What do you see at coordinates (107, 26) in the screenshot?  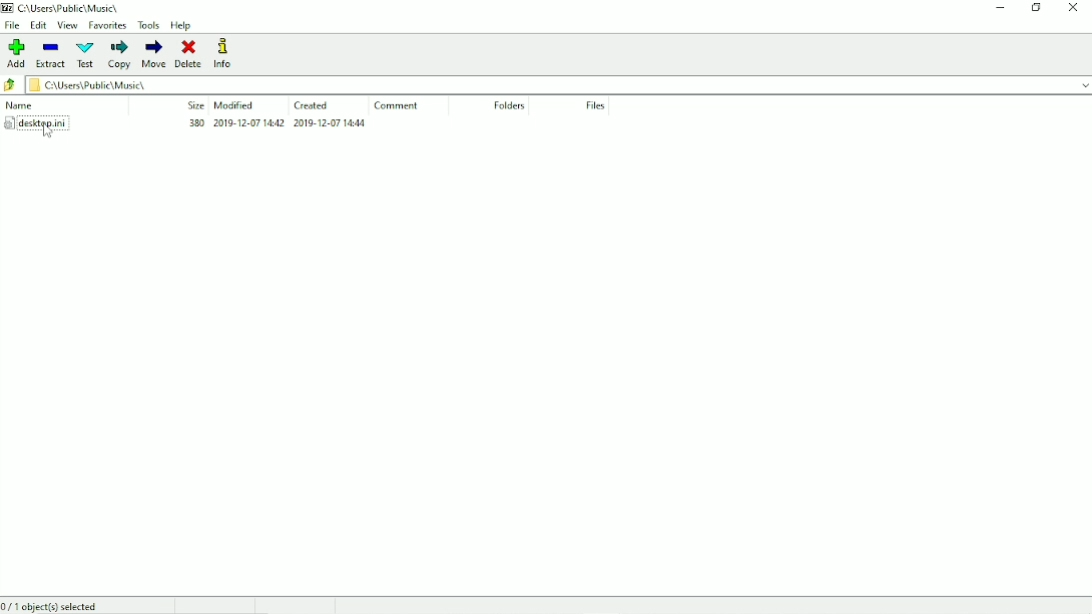 I see `Favorites` at bounding box center [107, 26].